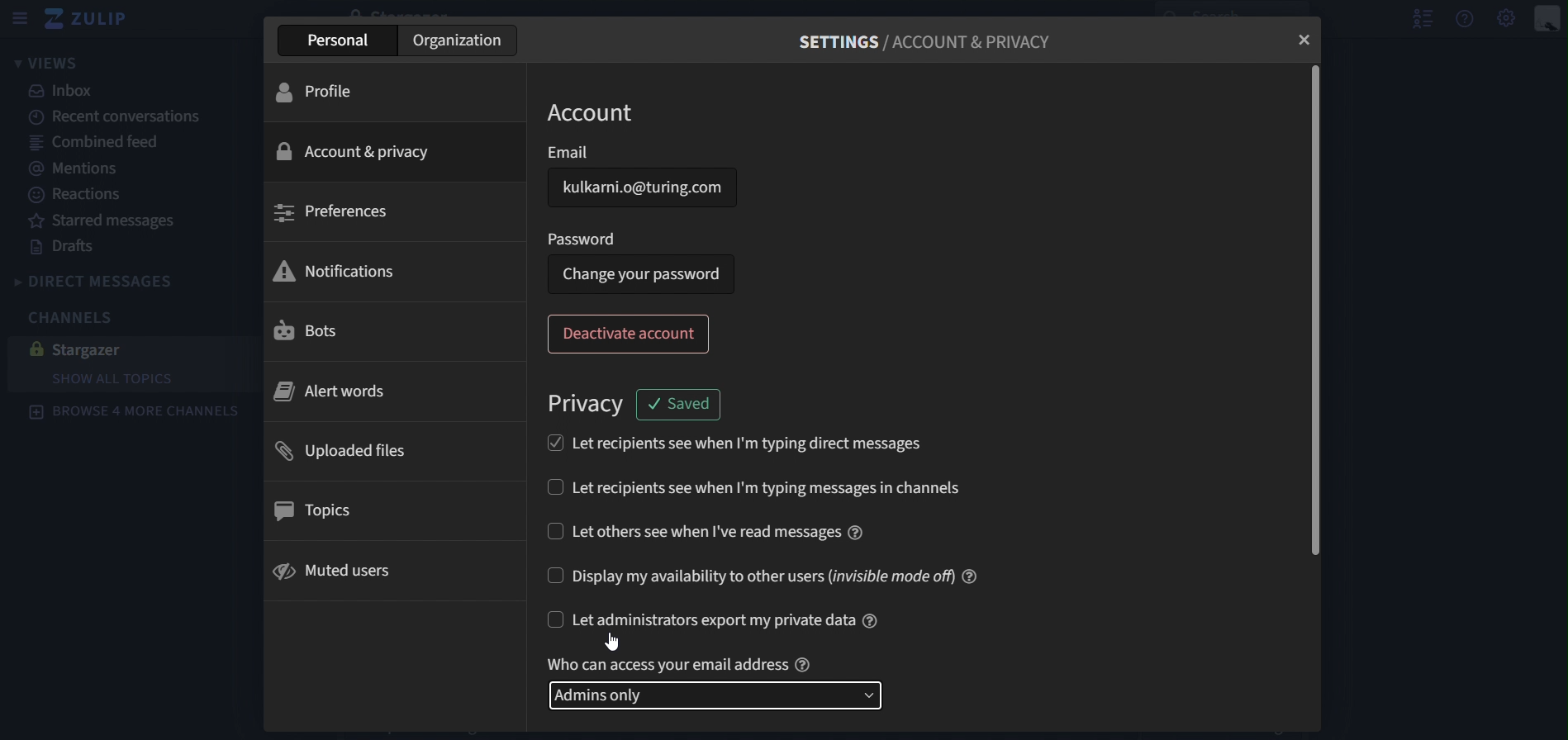  What do you see at coordinates (729, 442) in the screenshot?
I see `let recipients see when Im typing direct messages` at bounding box center [729, 442].